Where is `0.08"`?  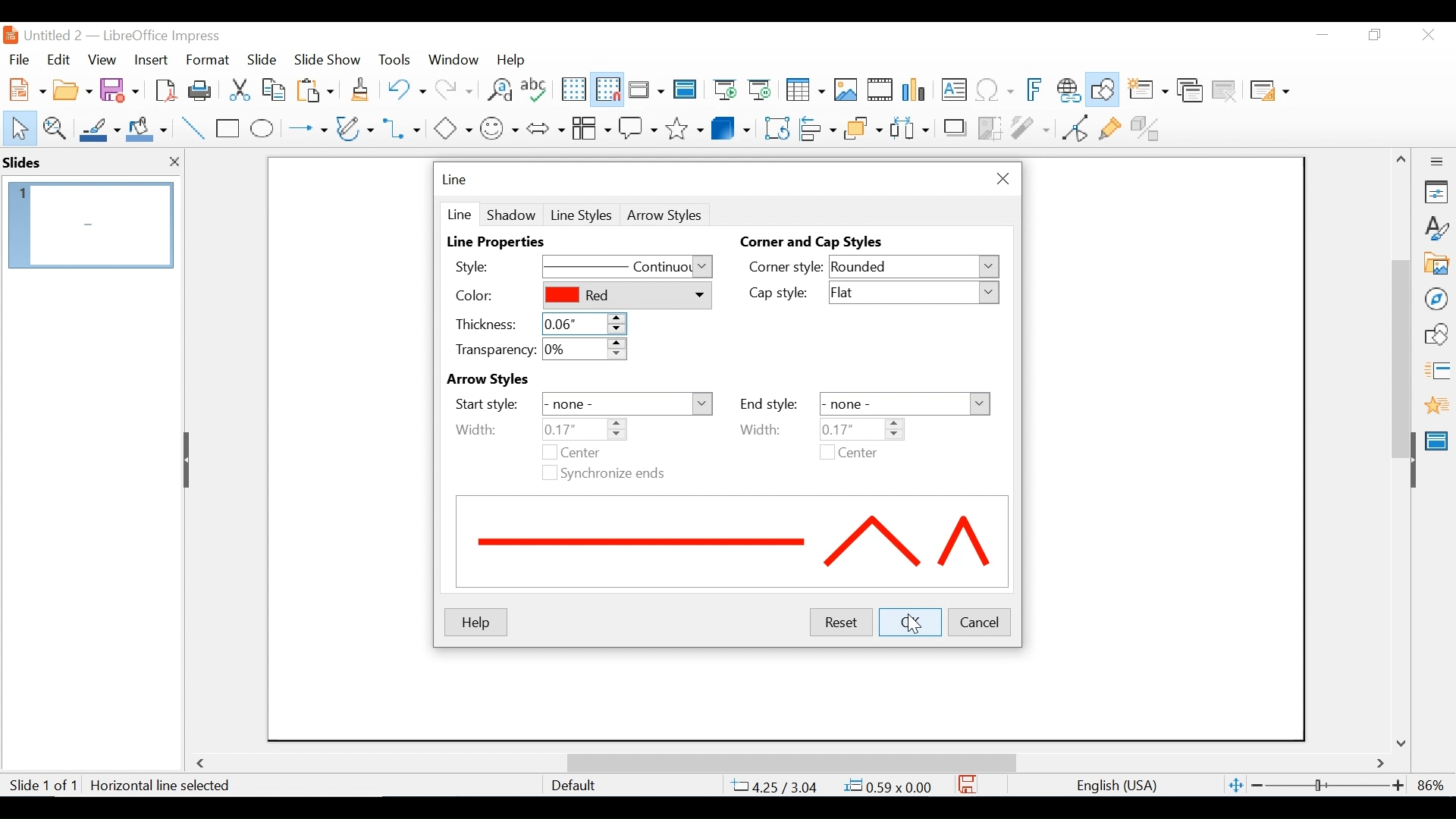 0.08" is located at coordinates (859, 428).